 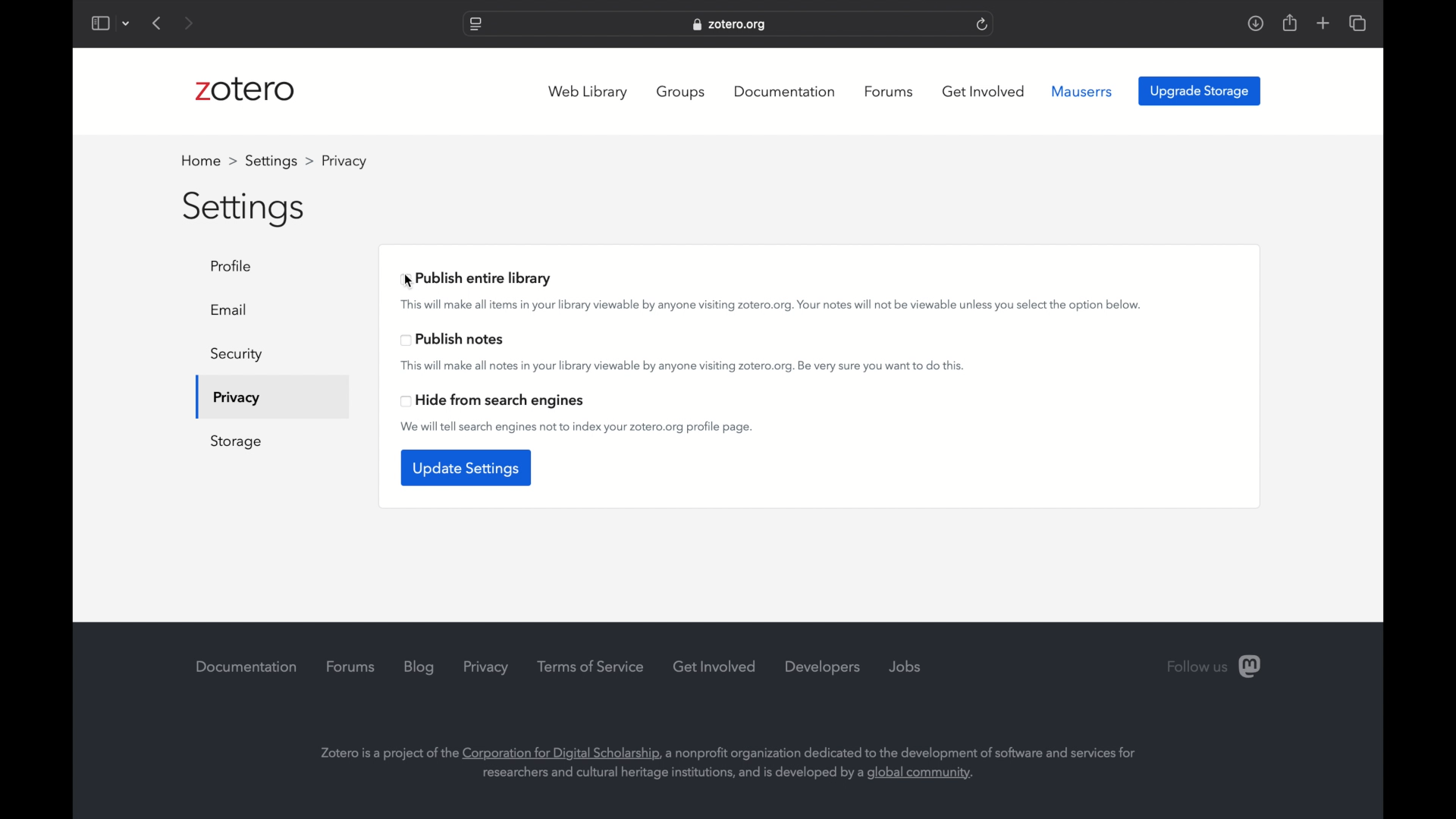 I want to click on this will make all notes in your library viewable by anyone visiting zotero.org. be very sure to do this, so click(x=682, y=366).